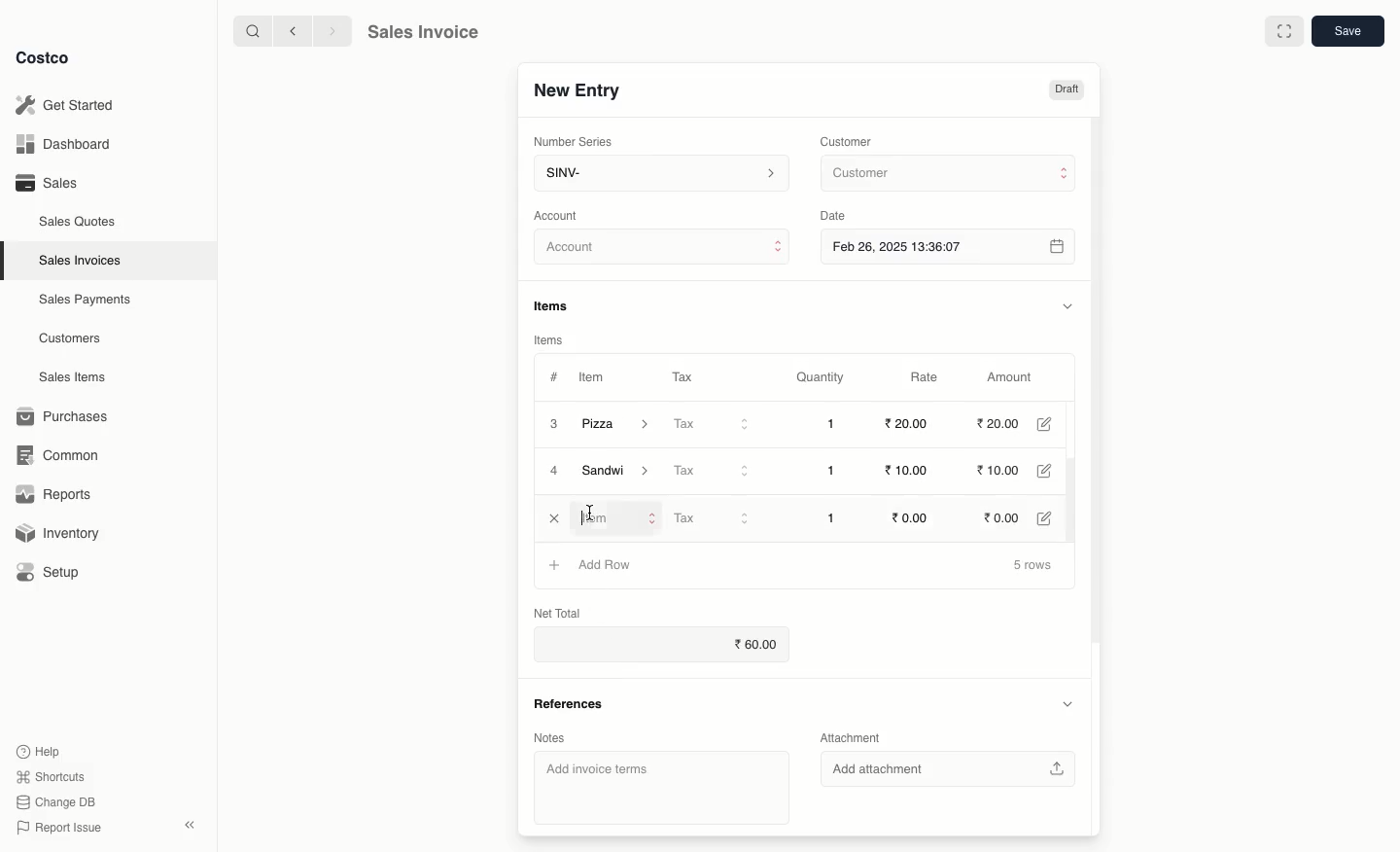 The image size is (1400, 852). What do you see at coordinates (1350, 33) in the screenshot?
I see `Save` at bounding box center [1350, 33].